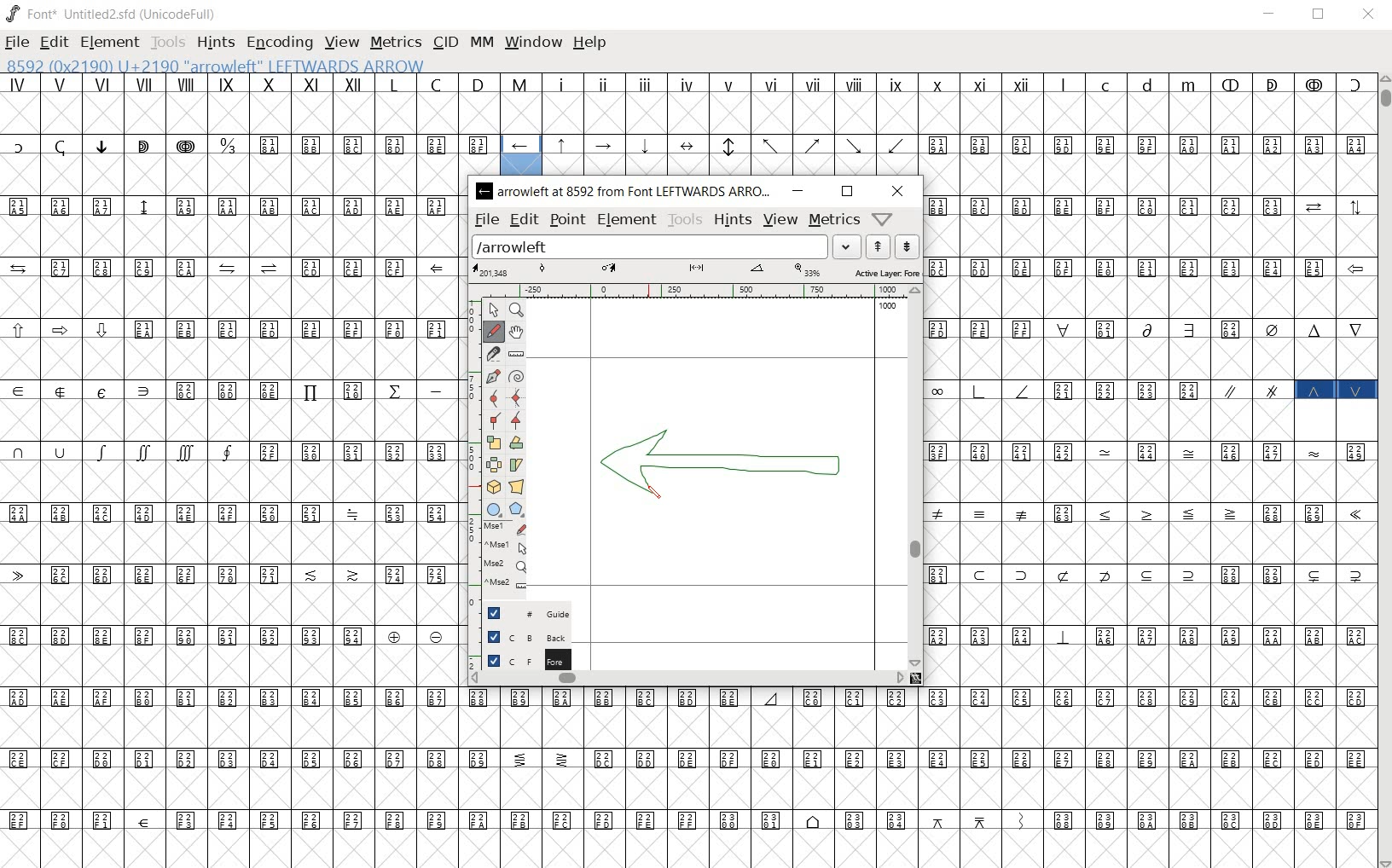  What do you see at coordinates (535, 43) in the screenshot?
I see `window` at bounding box center [535, 43].